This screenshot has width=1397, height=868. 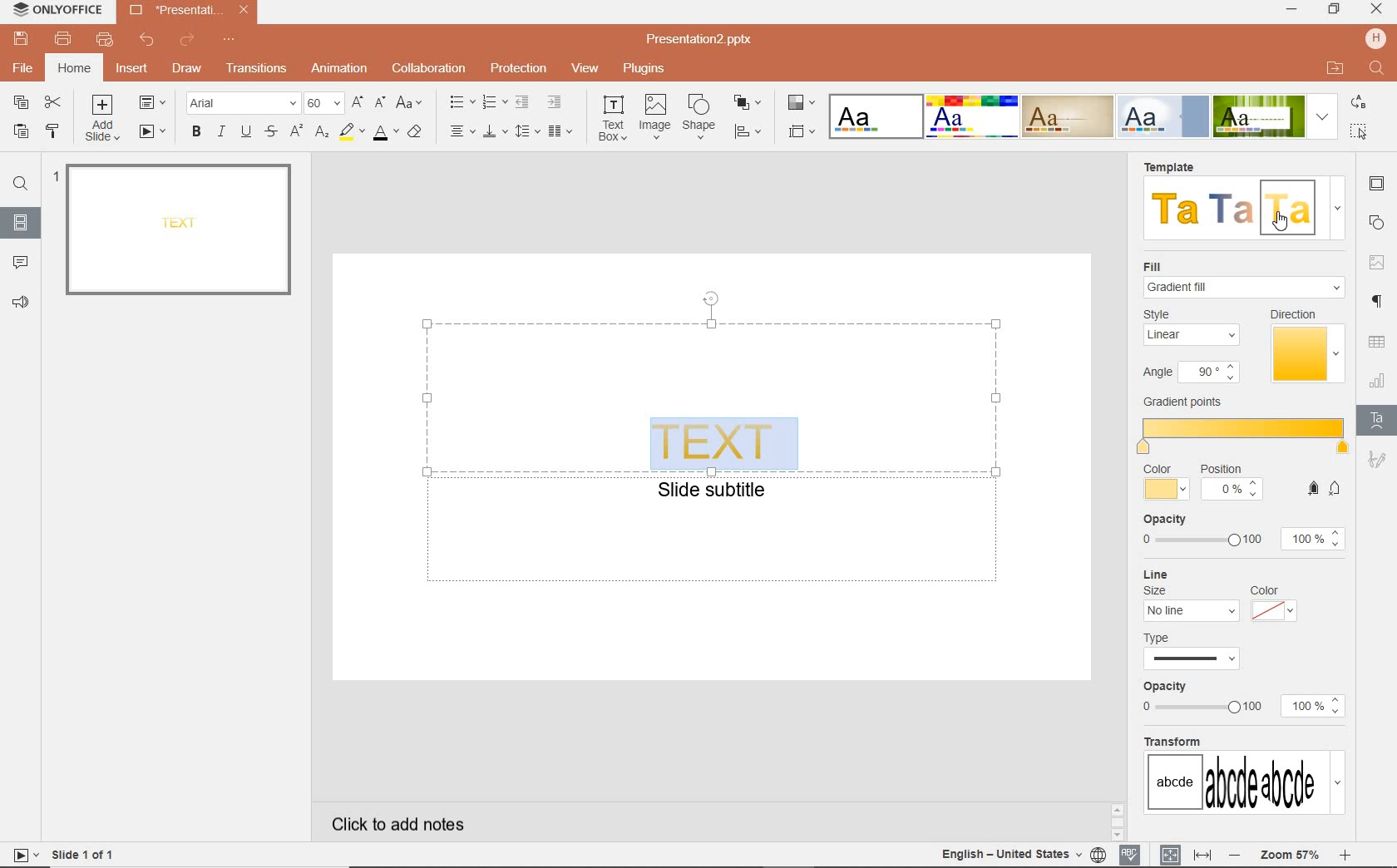 What do you see at coordinates (1360, 130) in the screenshot?
I see `select` at bounding box center [1360, 130].